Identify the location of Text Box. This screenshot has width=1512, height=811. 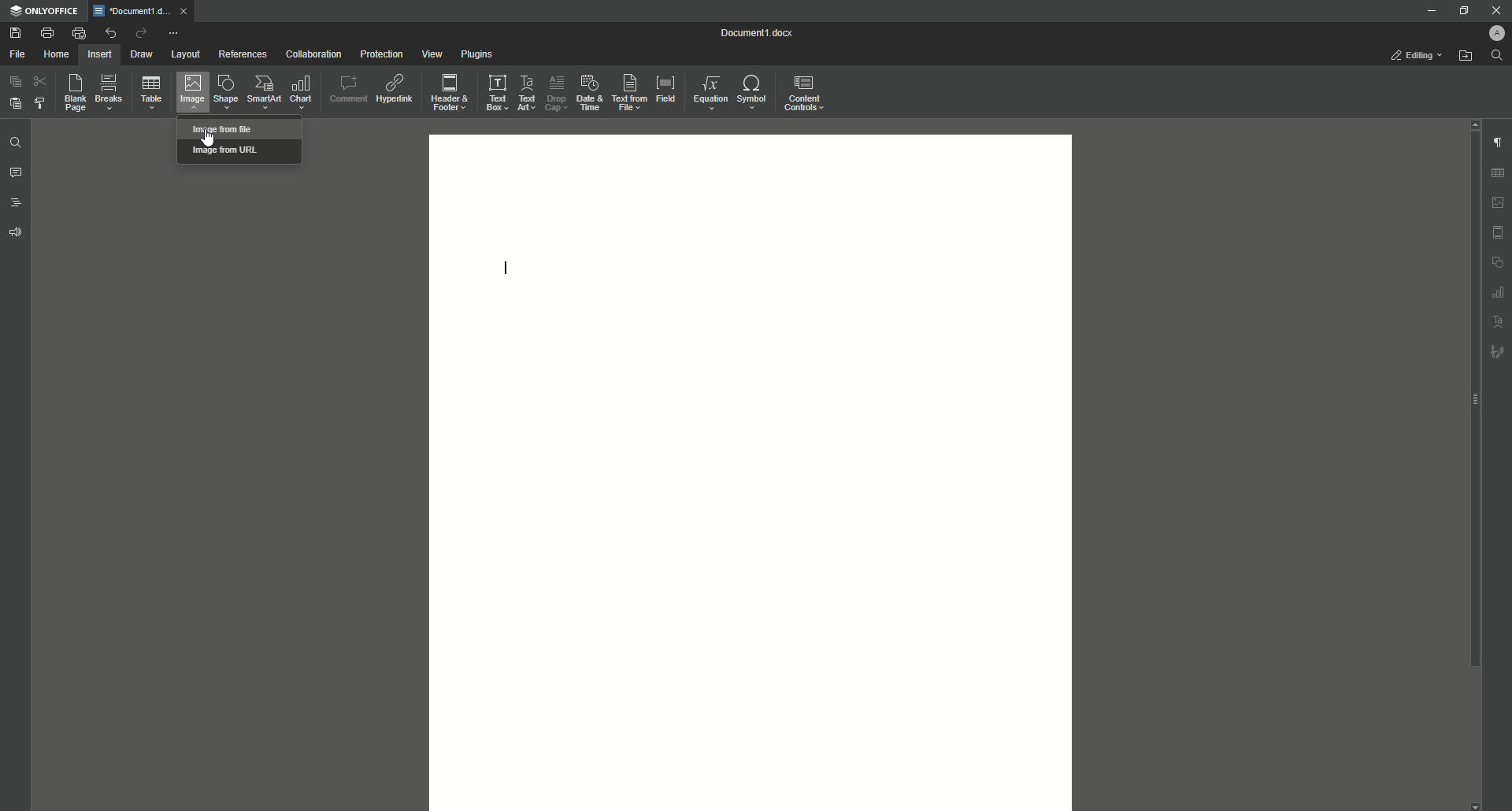
(489, 92).